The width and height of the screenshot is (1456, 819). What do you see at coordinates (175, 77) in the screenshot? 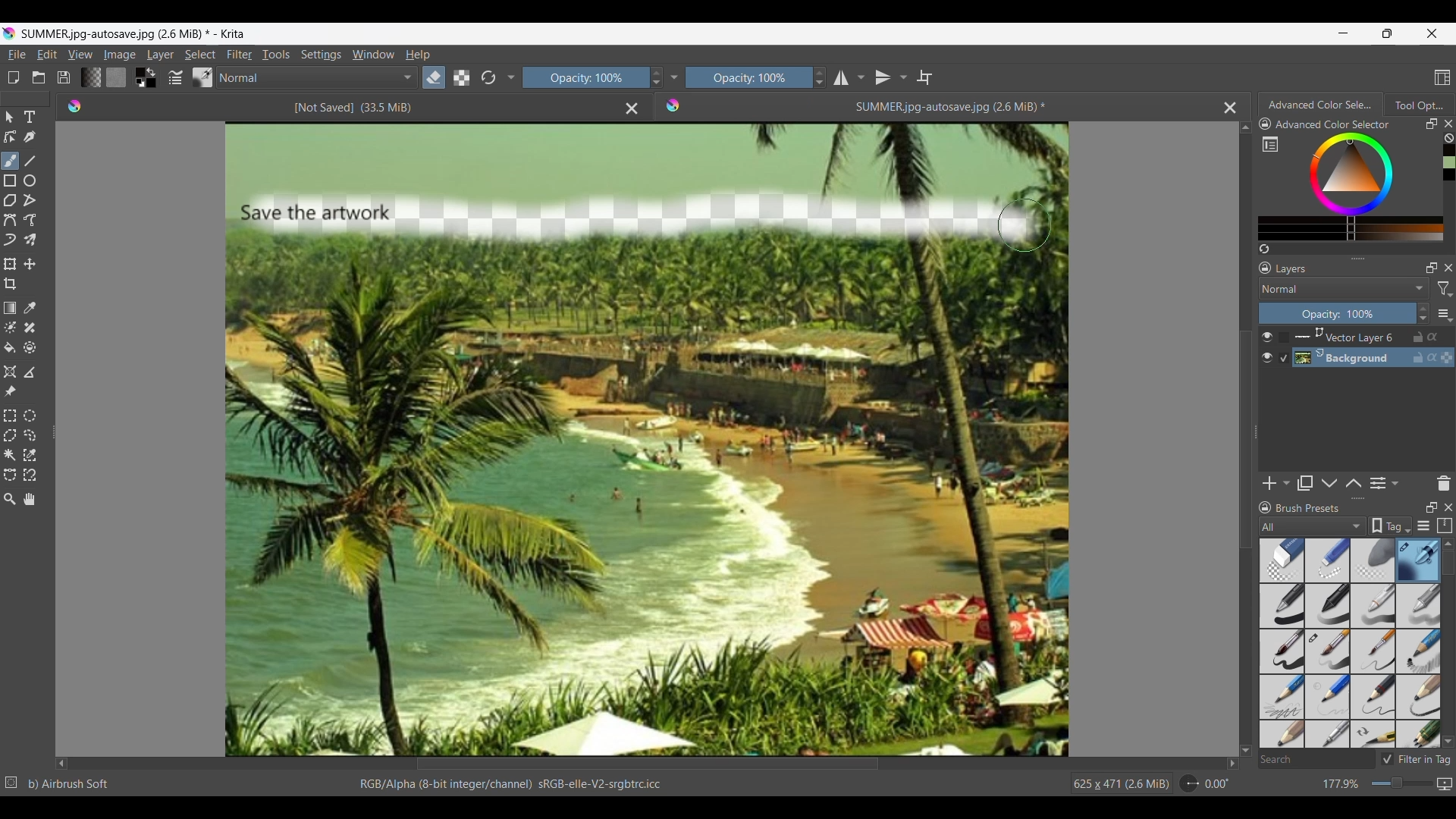
I see `Edit brush settings` at bounding box center [175, 77].